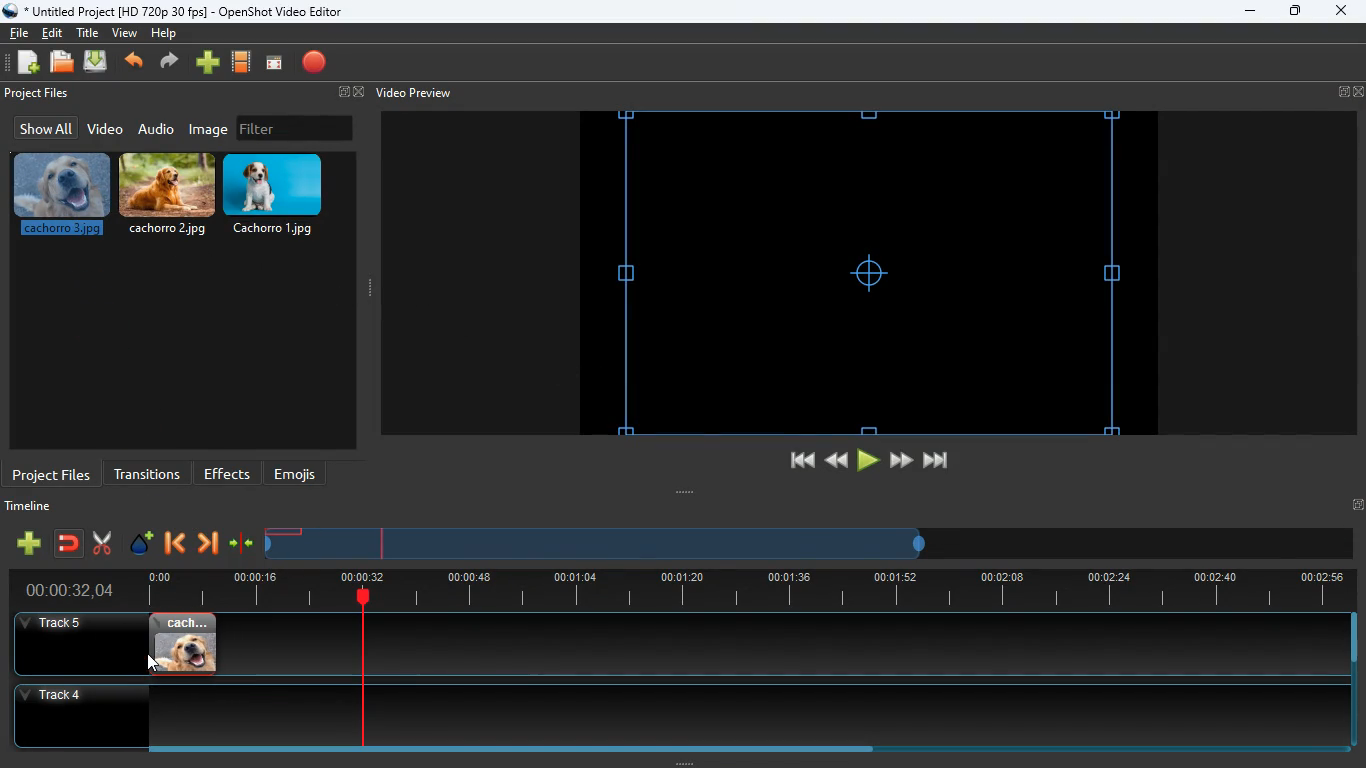  What do you see at coordinates (61, 590) in the screenshot?
I see `time` at bounding box center [61, 590].